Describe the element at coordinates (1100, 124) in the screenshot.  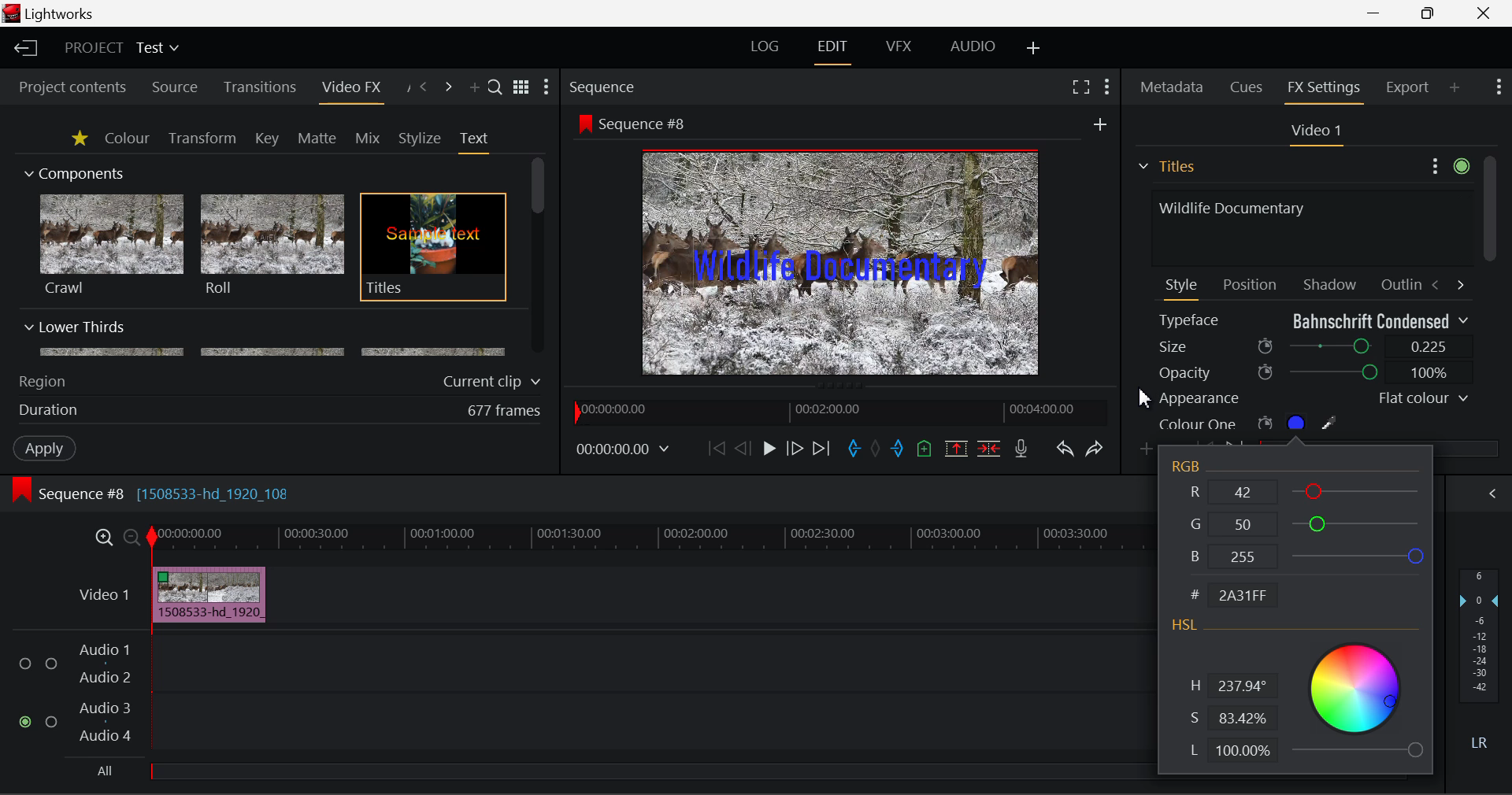
I see `add` at that location.